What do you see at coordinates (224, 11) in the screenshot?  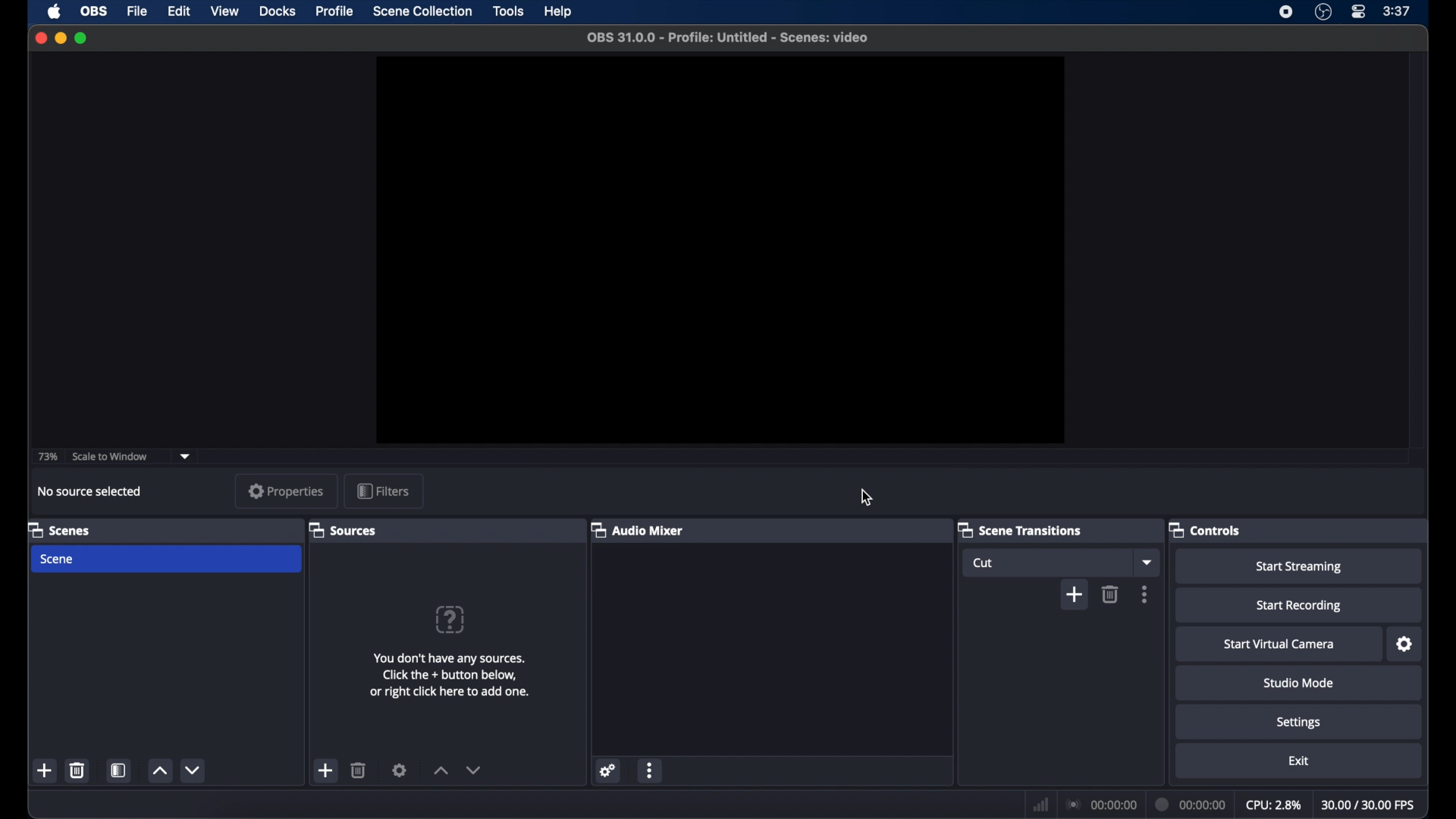 I see `view` at bounding box center [224, 11].